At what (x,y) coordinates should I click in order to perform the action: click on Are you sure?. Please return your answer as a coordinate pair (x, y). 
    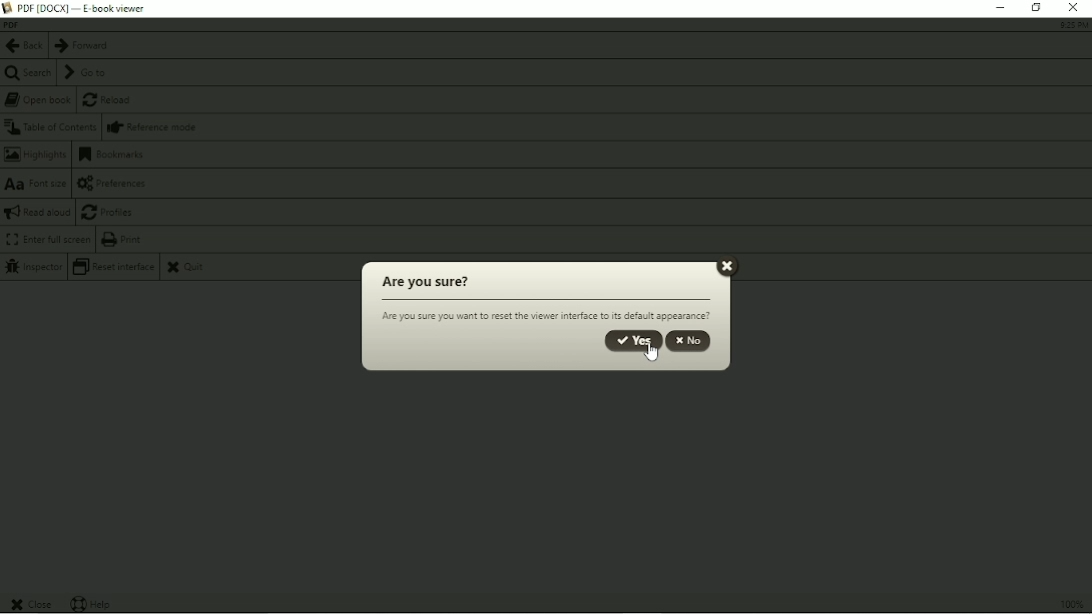
    Looking at the image, I should click on (423, 283).